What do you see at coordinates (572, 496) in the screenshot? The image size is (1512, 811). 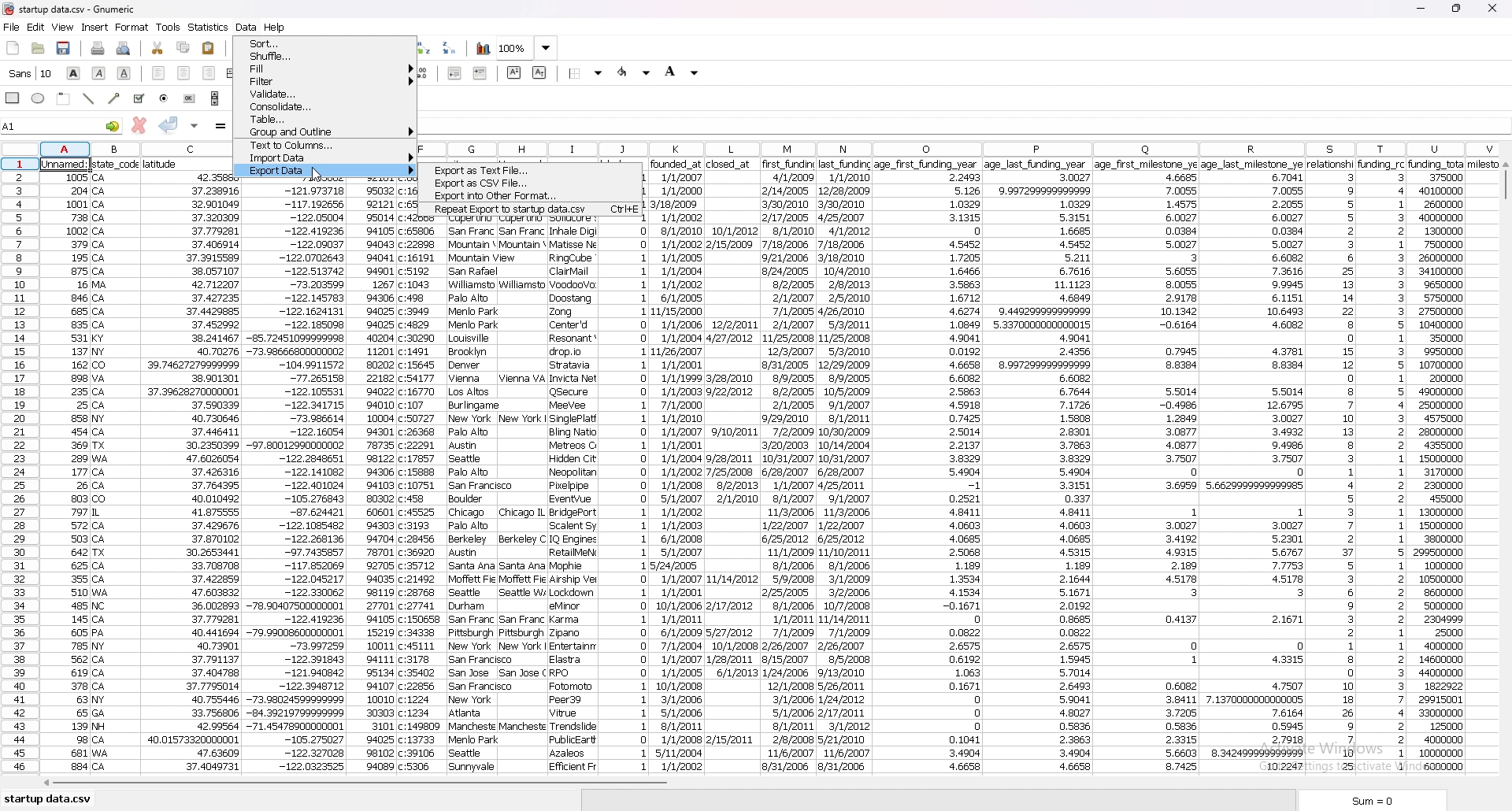 I see `data` at bounding box center [572, 496].